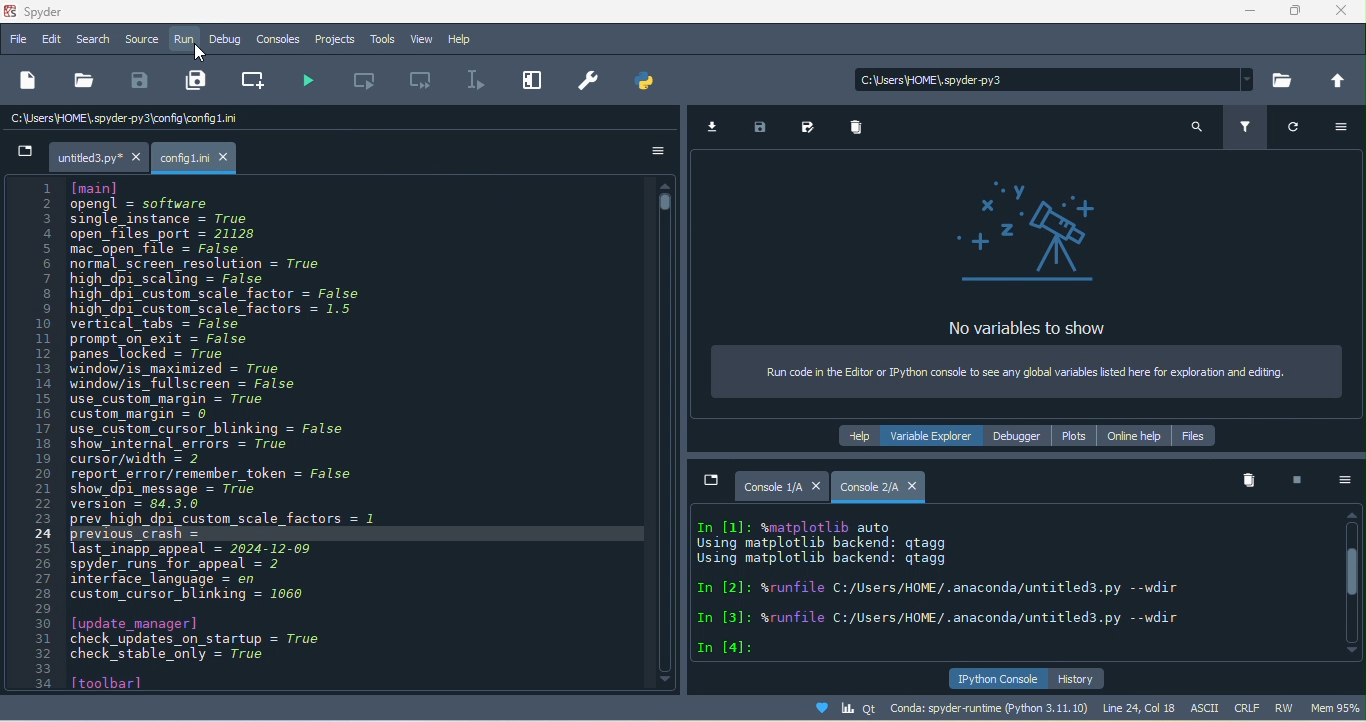 Image resolution: width=1366 pixels, height=722 pixels. What do you see at coordinates (660, 153) in the screenshot?
I see `option` at bounding box center [660, 153].